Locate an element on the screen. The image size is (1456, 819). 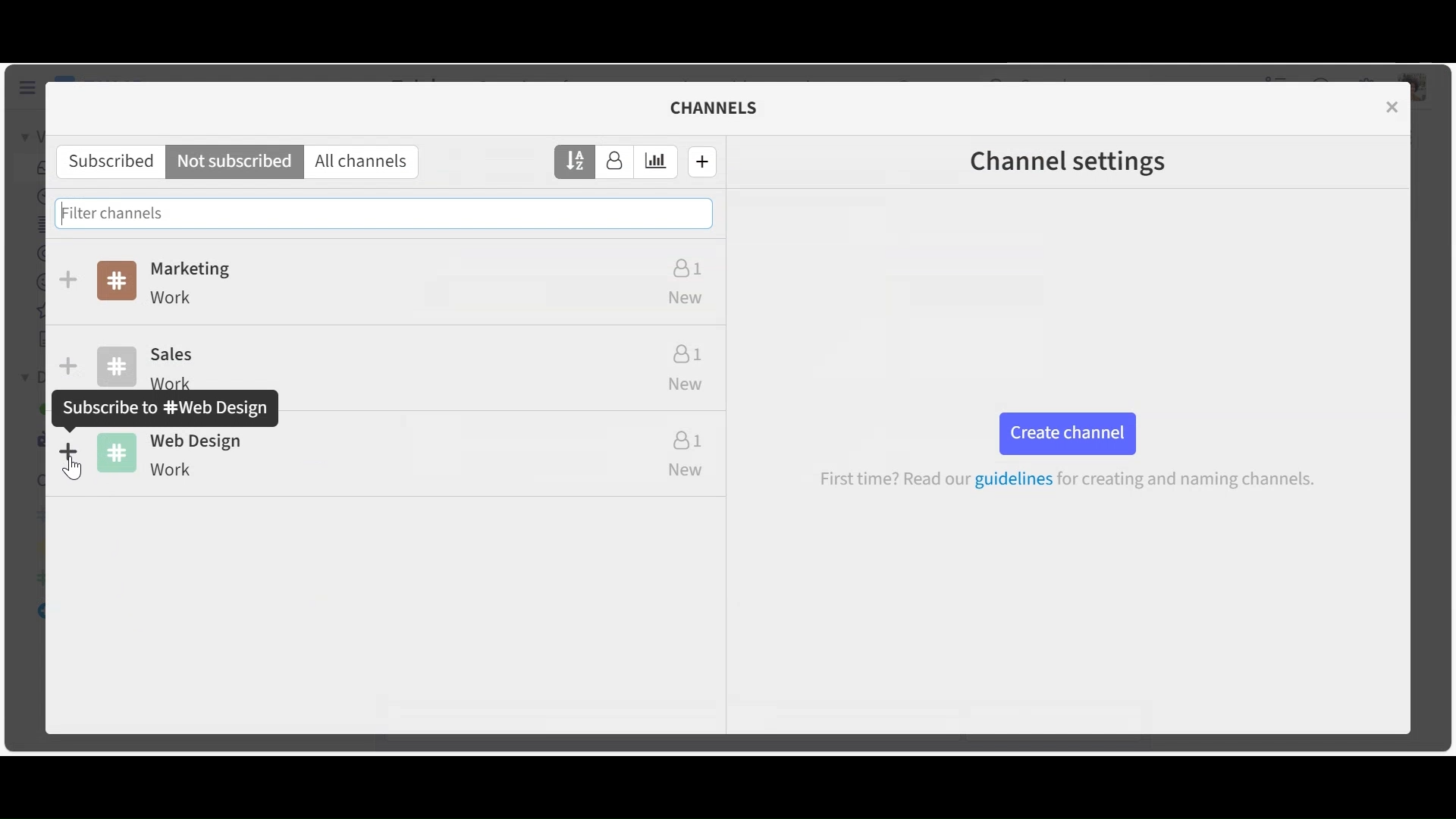
Not subscribed is located at coordinates (236, 162).